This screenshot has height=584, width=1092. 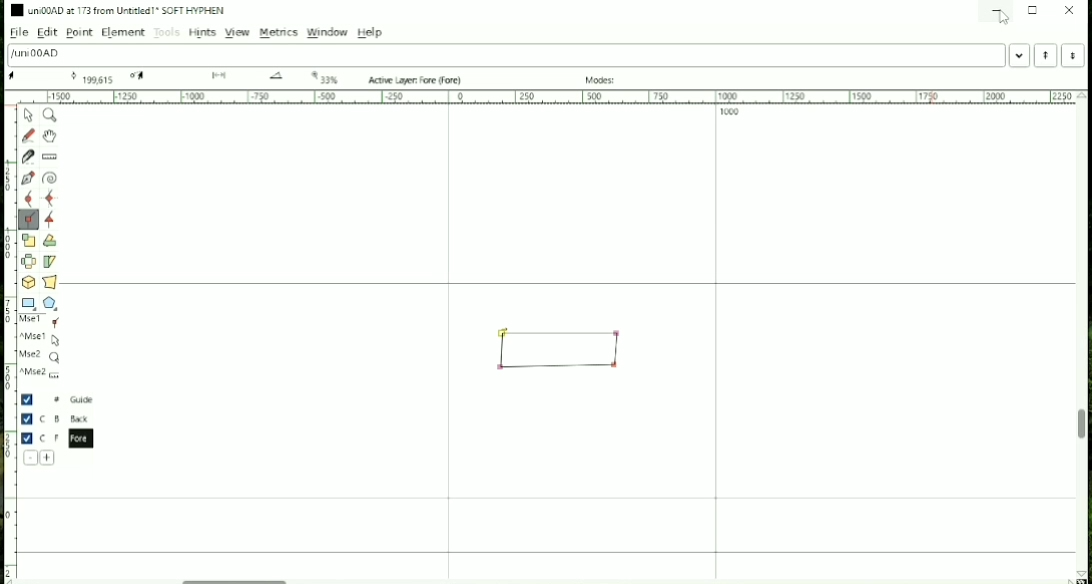 What do you see at coordinates (28, 198) in the screenshot?
I see `Add a curve point` at bounding box center [28, 198].